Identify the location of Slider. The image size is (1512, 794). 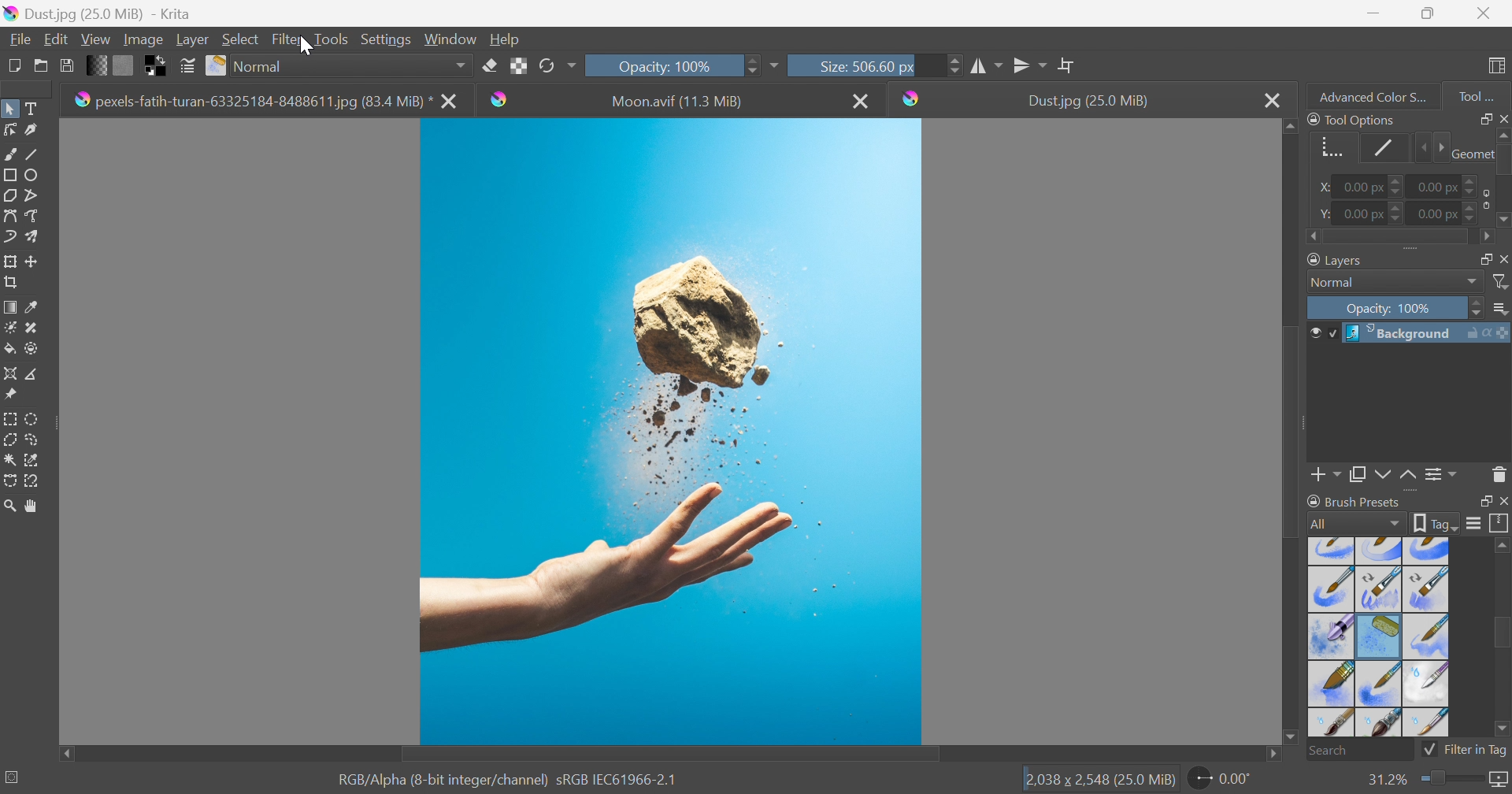
(1398, 213).